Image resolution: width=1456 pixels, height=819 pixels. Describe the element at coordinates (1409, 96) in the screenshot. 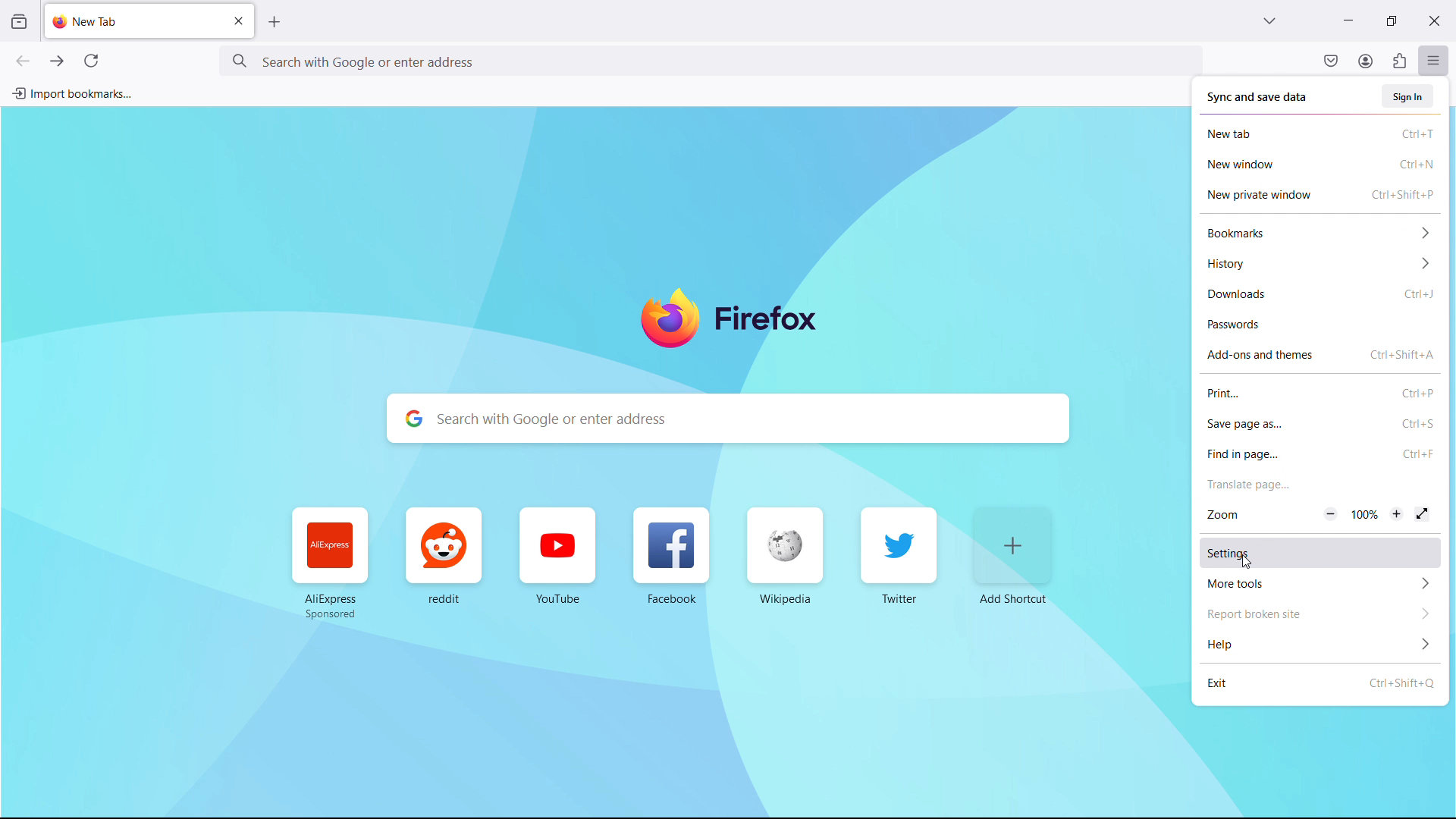

I see `sign in` at that location.